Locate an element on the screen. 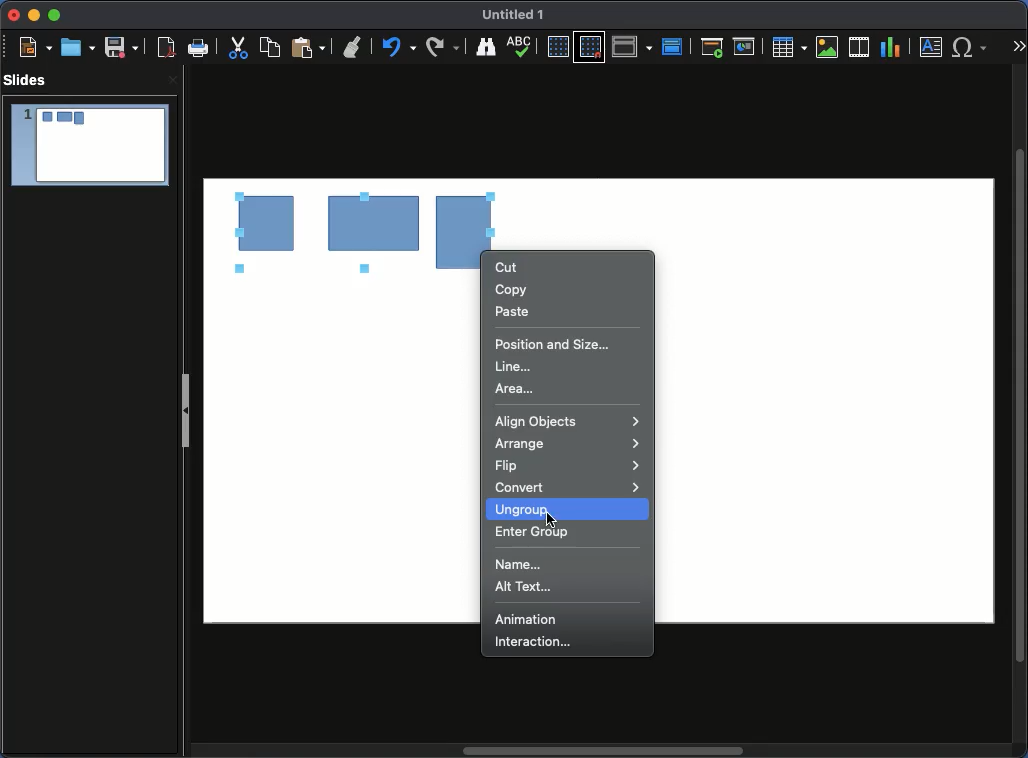 This screenshot has height=758, width=1028. Image is located at coordinates (829, 48).